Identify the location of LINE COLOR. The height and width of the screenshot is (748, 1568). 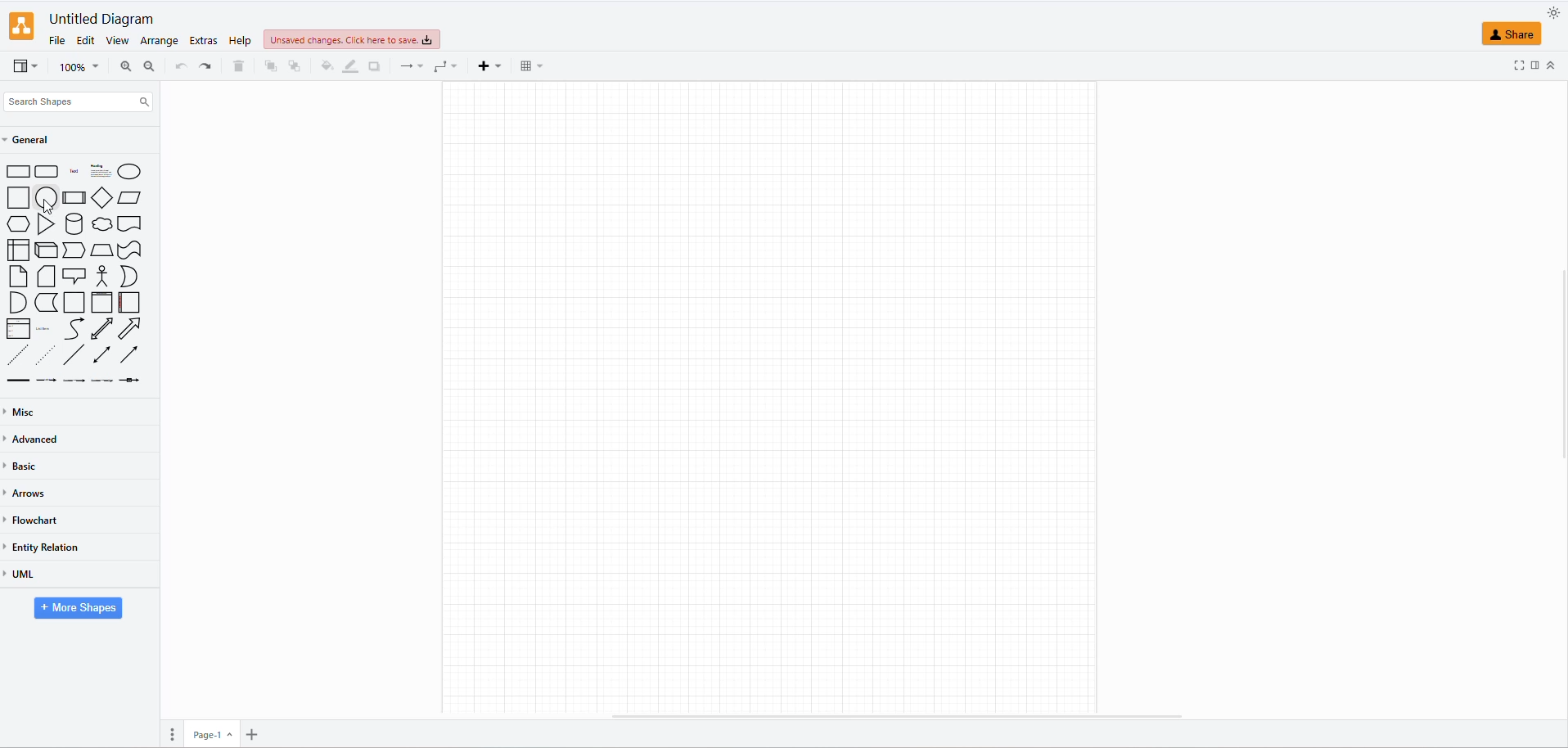
(349, 66).